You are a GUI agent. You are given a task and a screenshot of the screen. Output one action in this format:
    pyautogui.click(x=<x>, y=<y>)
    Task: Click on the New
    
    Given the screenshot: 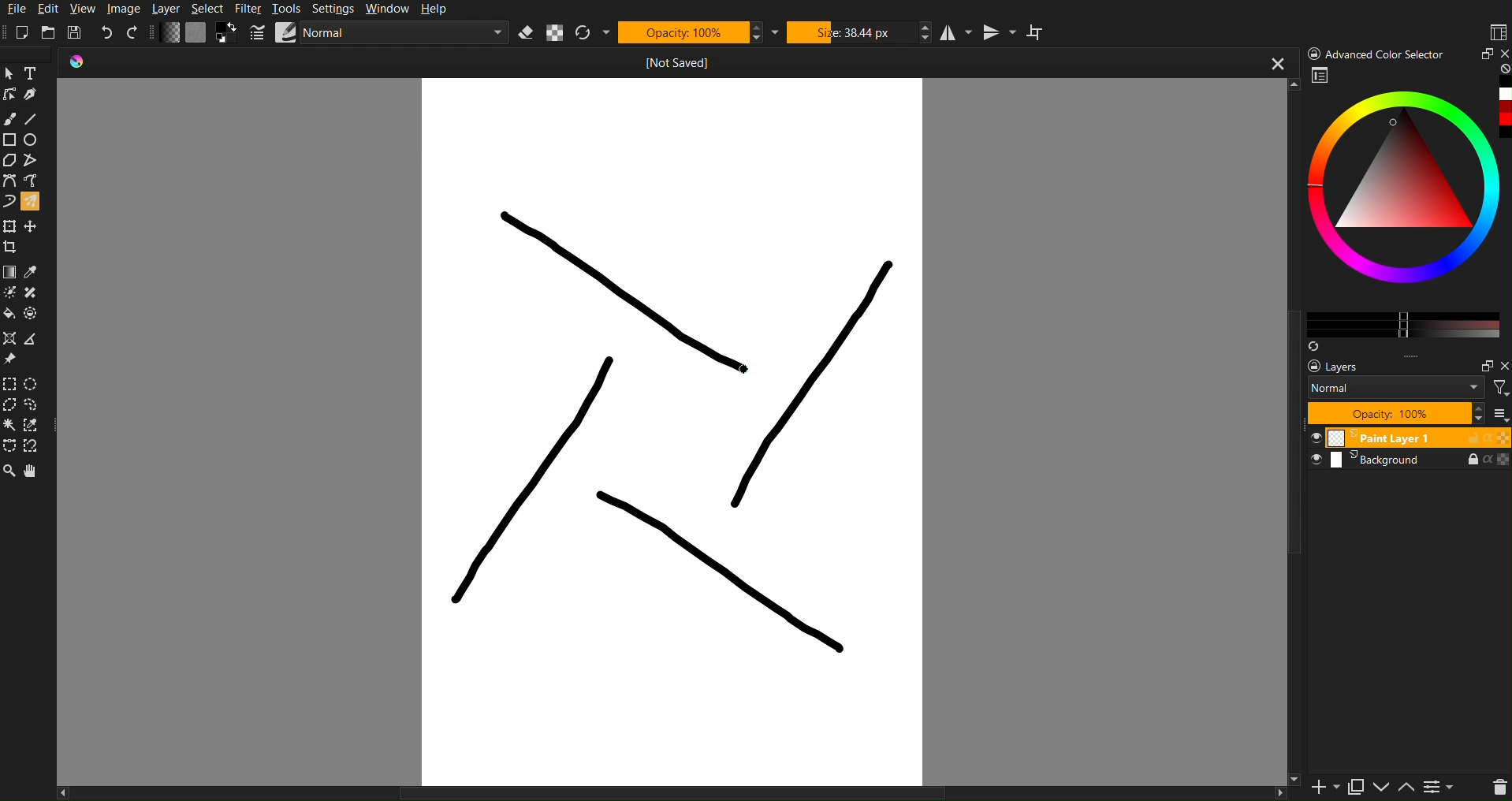 What is the action you would take?
    pyautogui.click(x=27, y=30)
    